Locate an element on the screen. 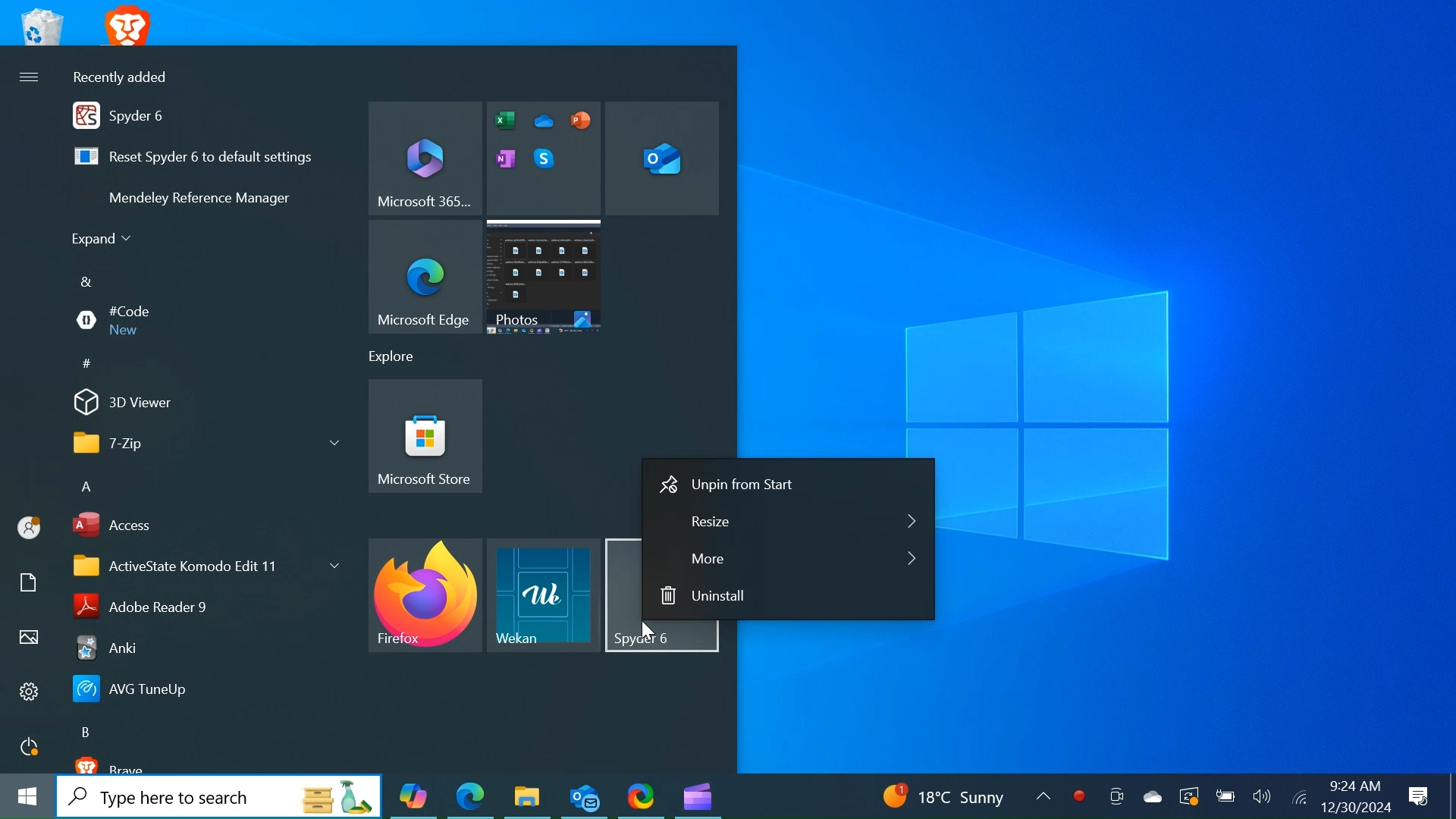 Image resolution: width=1456 pixels, height=819 pixels. Microsoft Outlook is located at coordinates (664, 158).